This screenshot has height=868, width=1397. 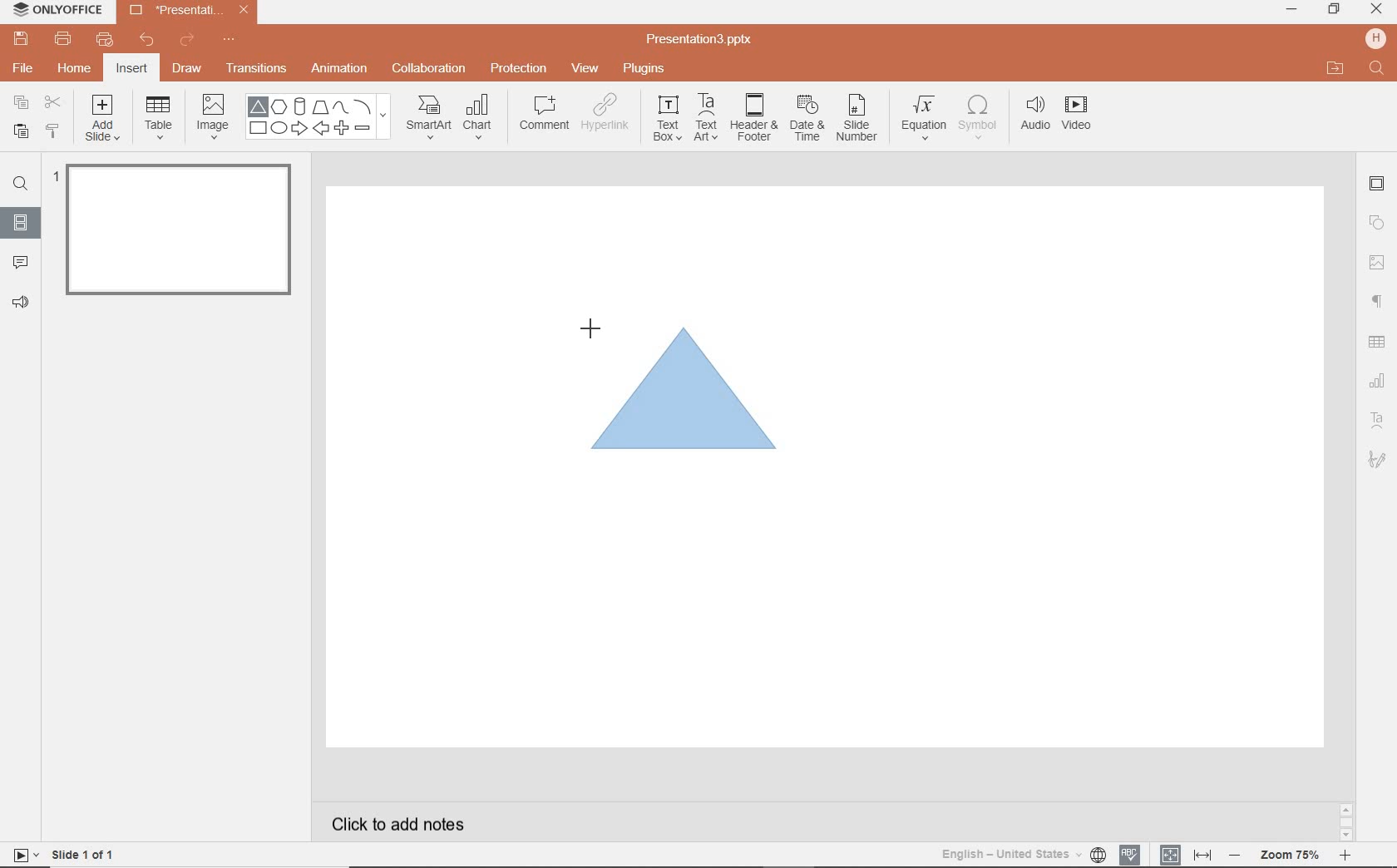 What do you see at coordinates (702, 40) in the screenshot?
I see `FILE NAME` at bounding box center [702, 40].